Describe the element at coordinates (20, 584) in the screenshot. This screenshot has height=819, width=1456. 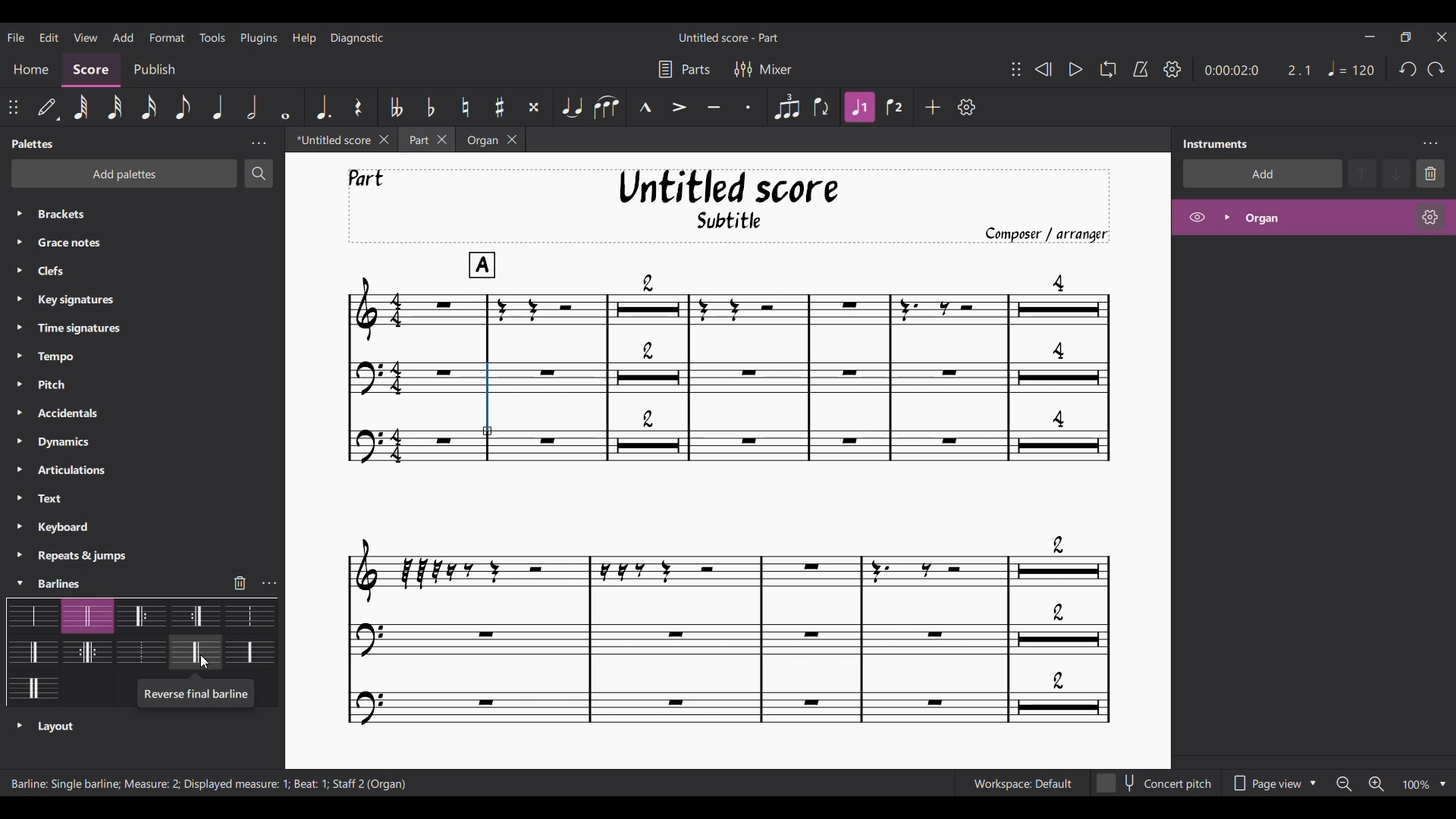
I see `Click to collapse` at that location.